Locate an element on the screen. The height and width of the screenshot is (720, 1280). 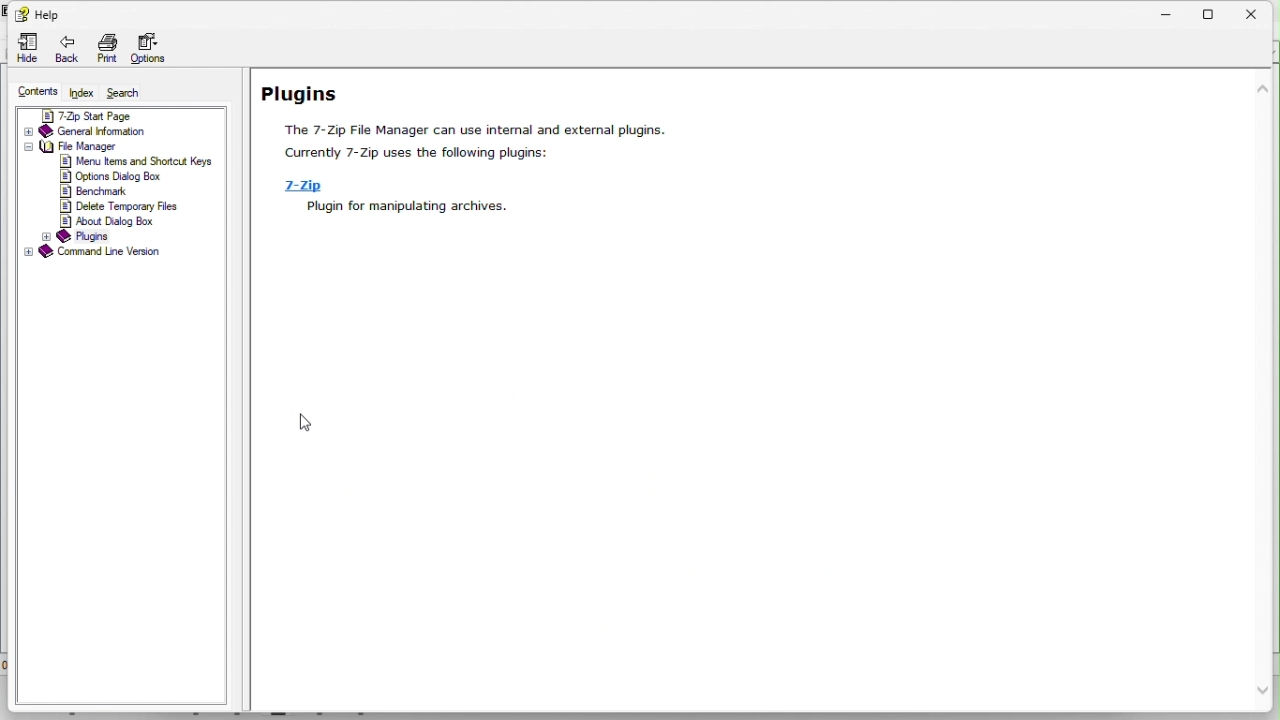
benchmark is located at coordinates (97, 190).